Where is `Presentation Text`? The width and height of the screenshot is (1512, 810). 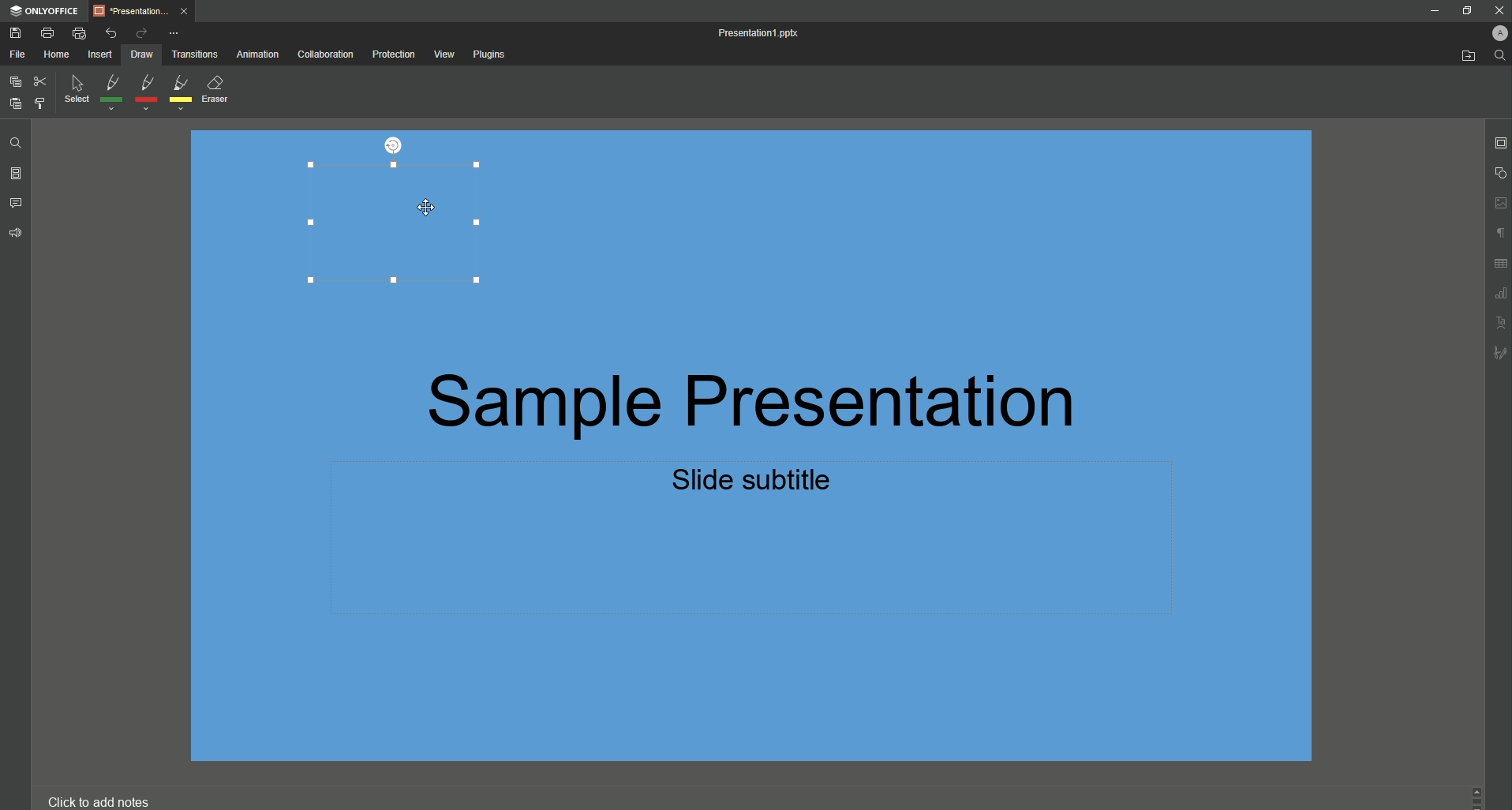 Presentation Text is located at coordinates (795, 440).